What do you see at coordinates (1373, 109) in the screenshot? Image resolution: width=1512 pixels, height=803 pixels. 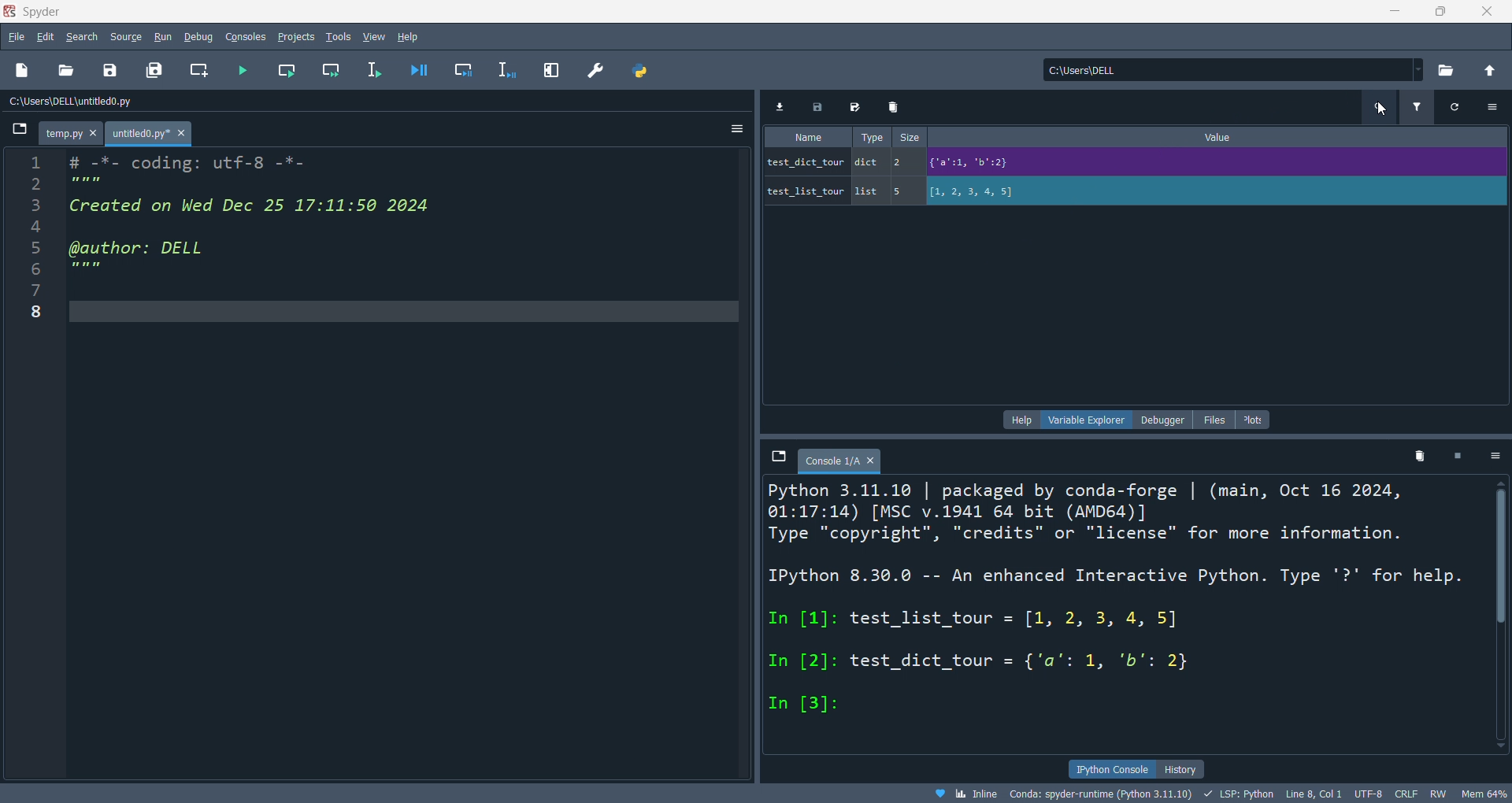 I see `search variables` at bounding box center [1373, 109].